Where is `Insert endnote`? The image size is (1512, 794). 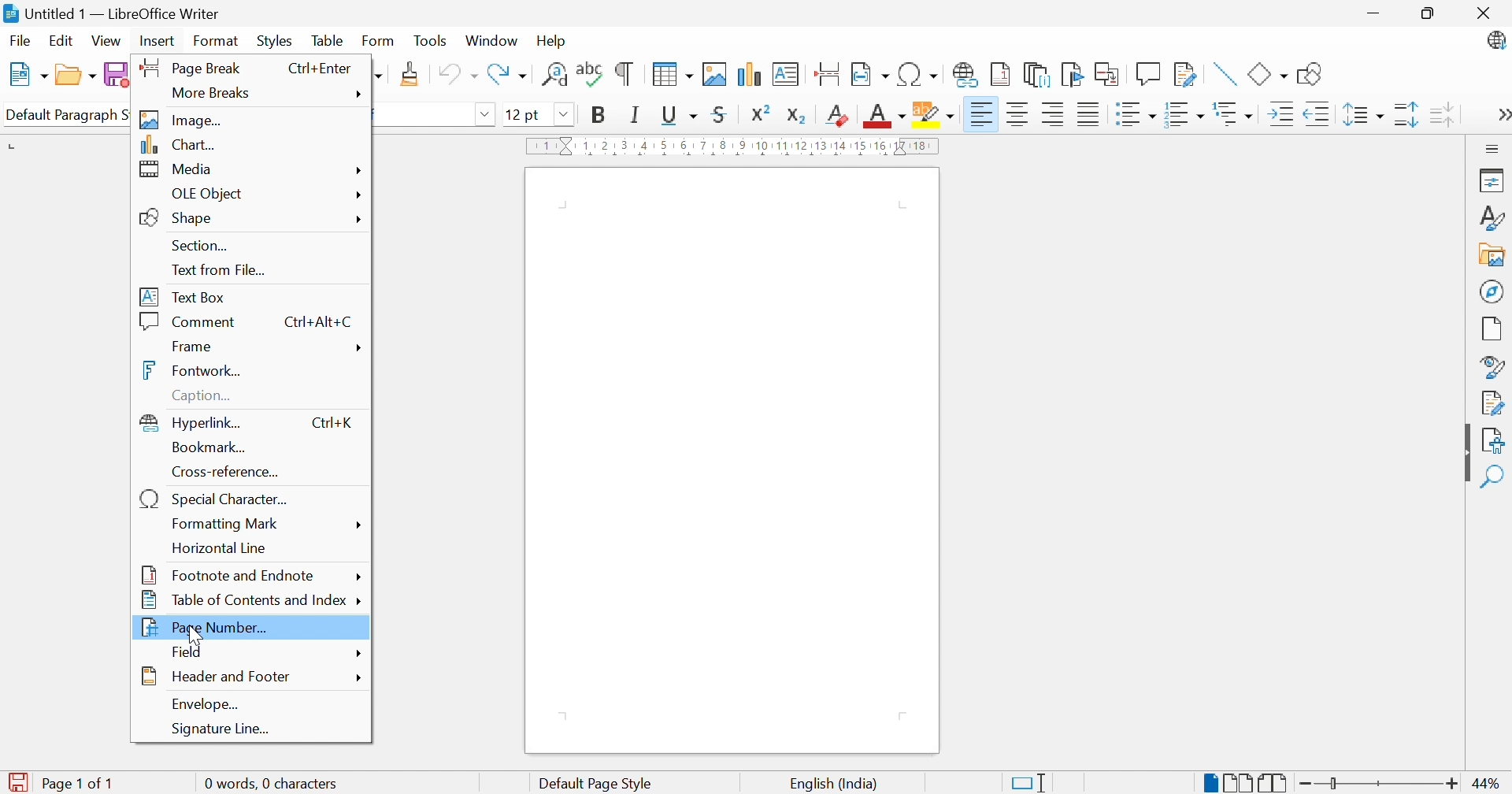 Insert endnote is located at coordinates (1037, 76).